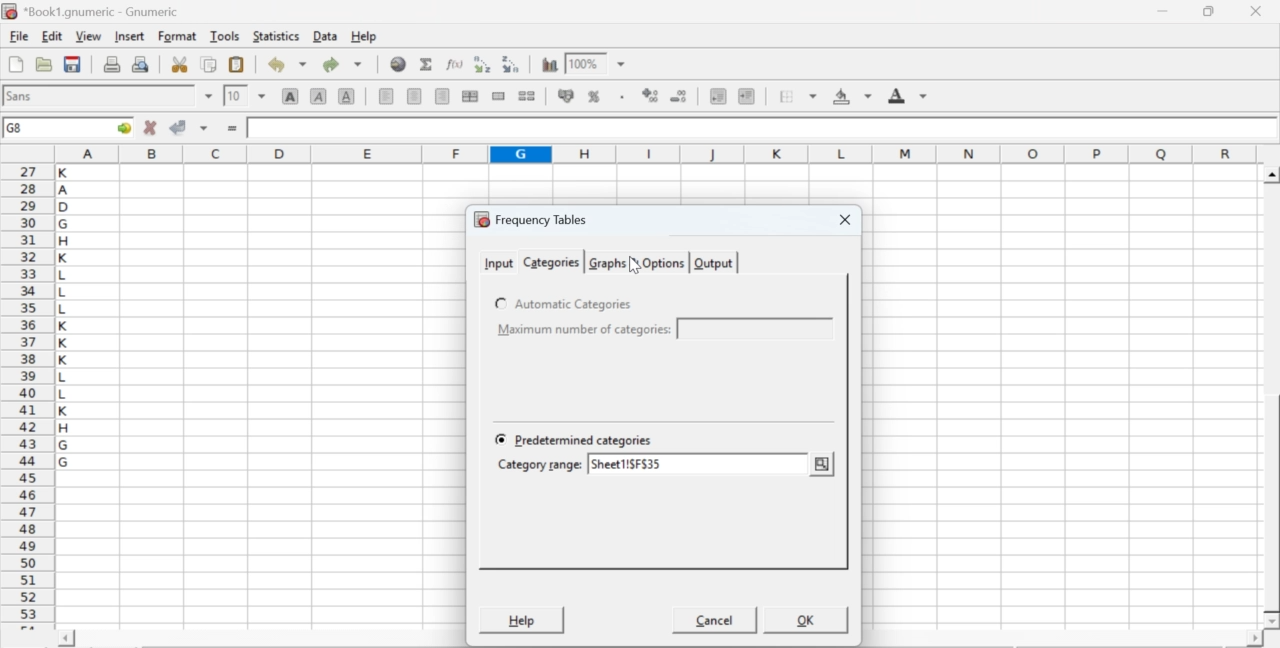  Describe the element at coordinates (327, 35) in the screenshot. I see `data` at that location.